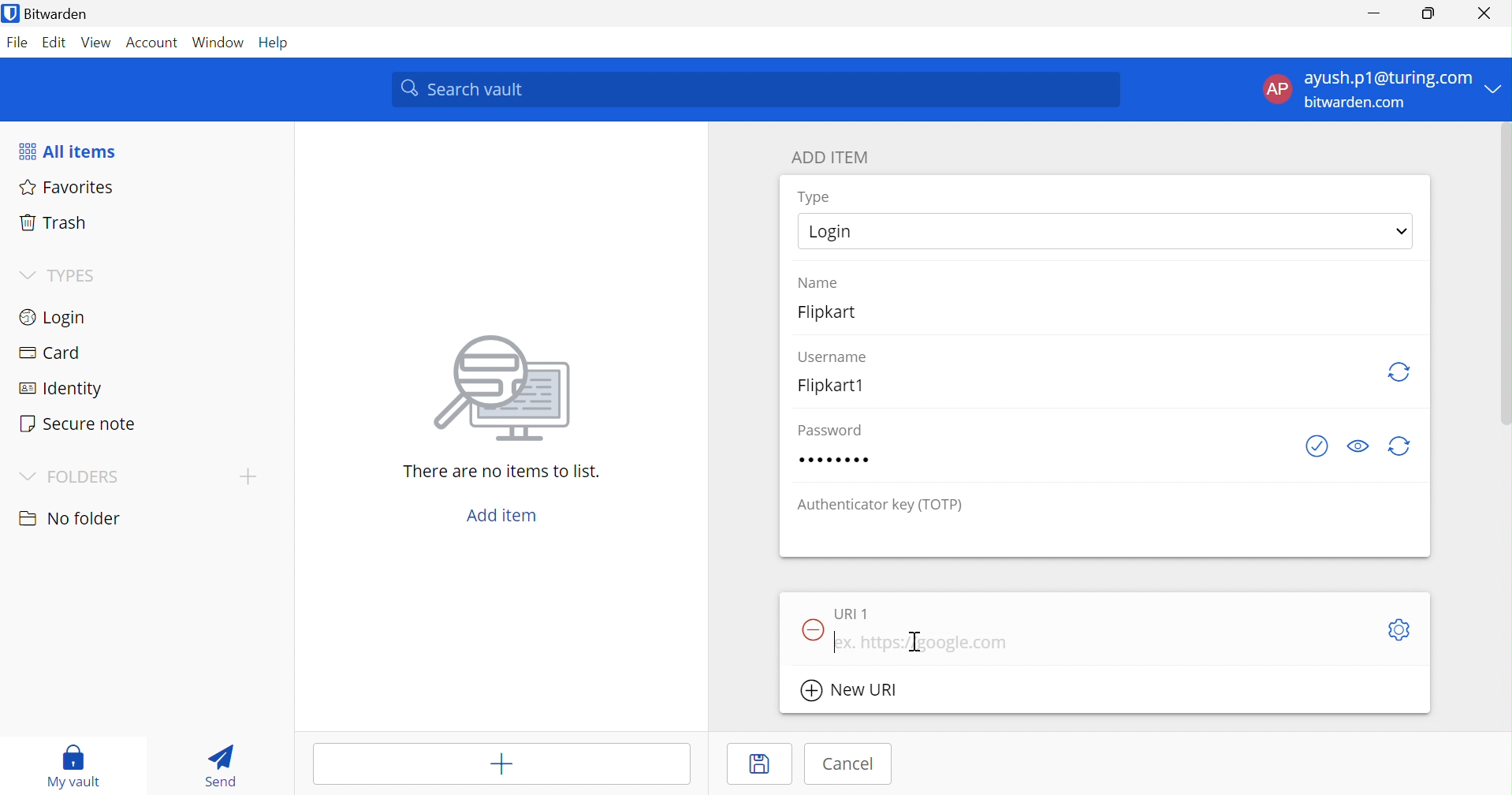 The width and height of the screenshot is (1512, 795). I want to click on Login, so click(832, 233).